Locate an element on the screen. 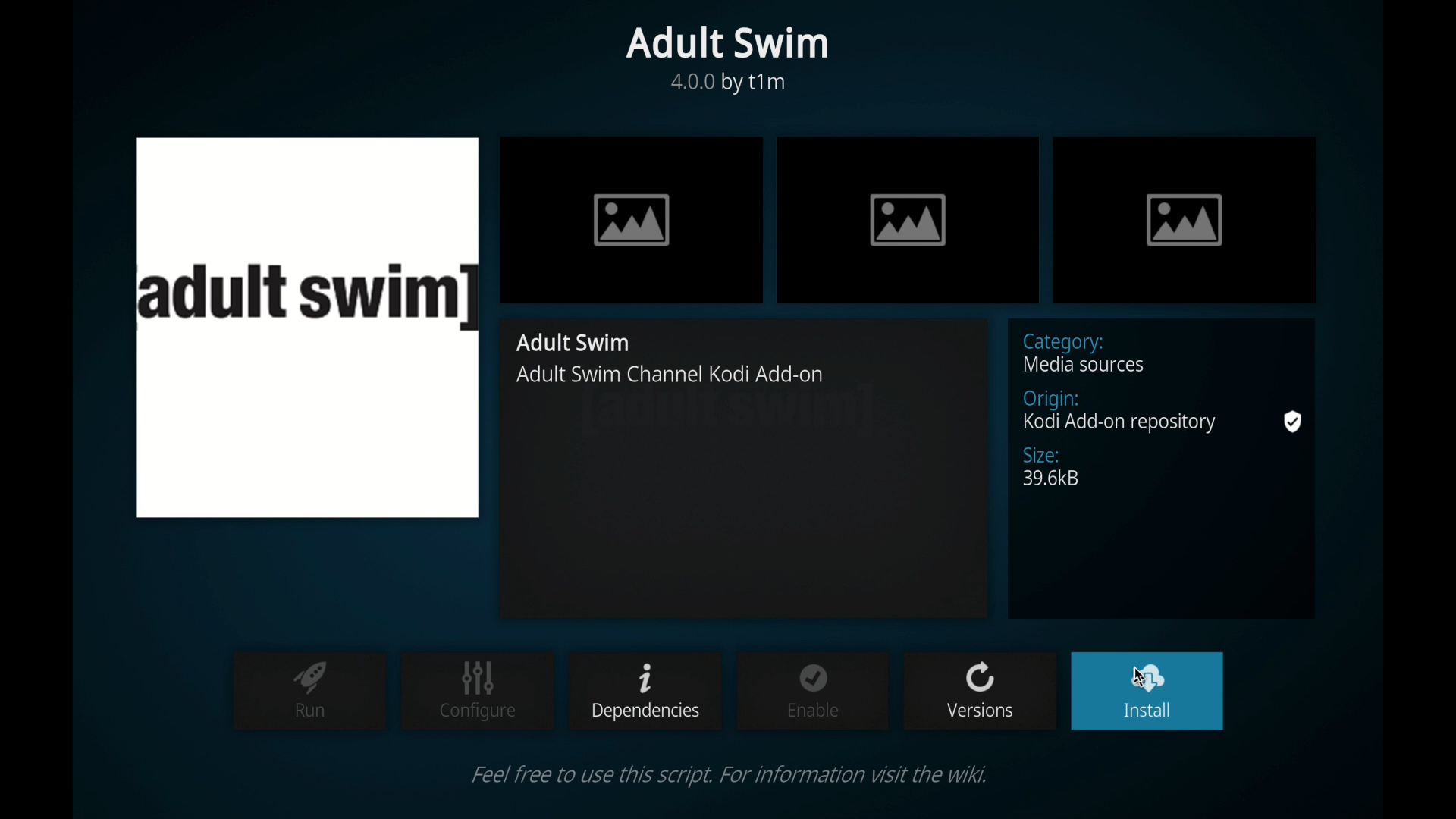 This screenshot has width=1456, height=819. size is located at coordinates (1052, 467).